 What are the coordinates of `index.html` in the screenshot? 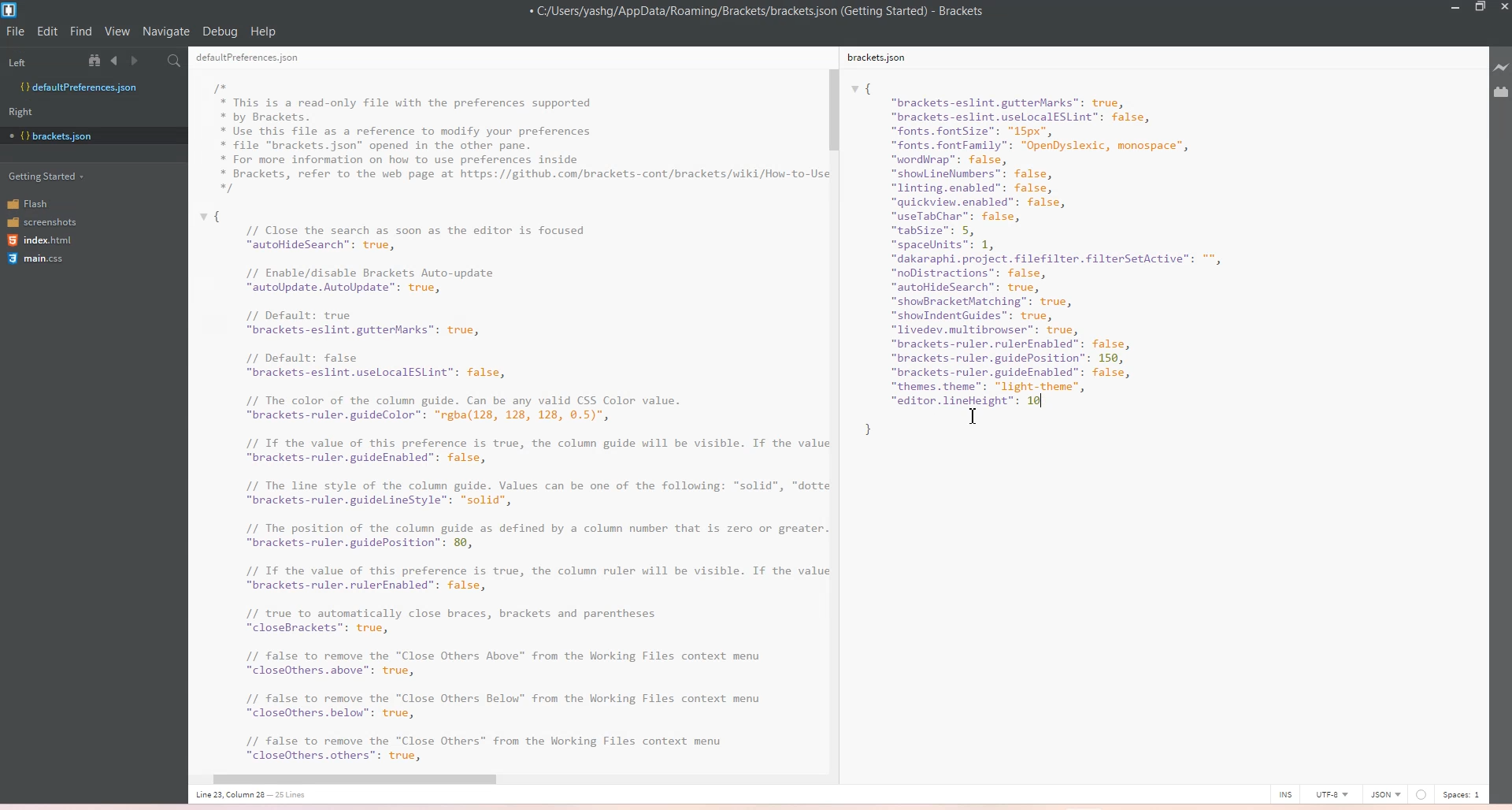 It's located at (42, 241).